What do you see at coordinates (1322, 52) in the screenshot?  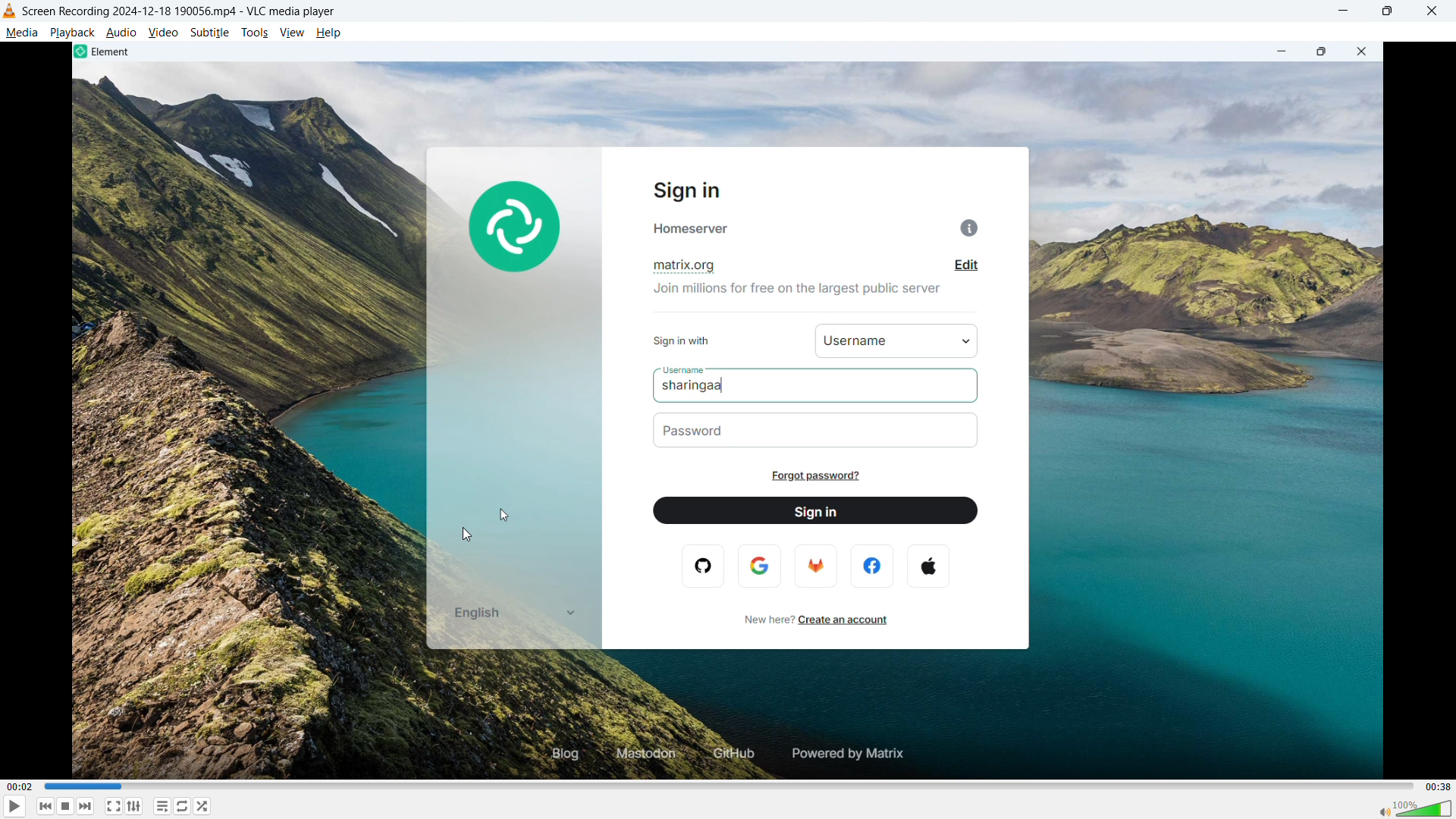 I see `Maximize` at bounding box center [1322, 52].